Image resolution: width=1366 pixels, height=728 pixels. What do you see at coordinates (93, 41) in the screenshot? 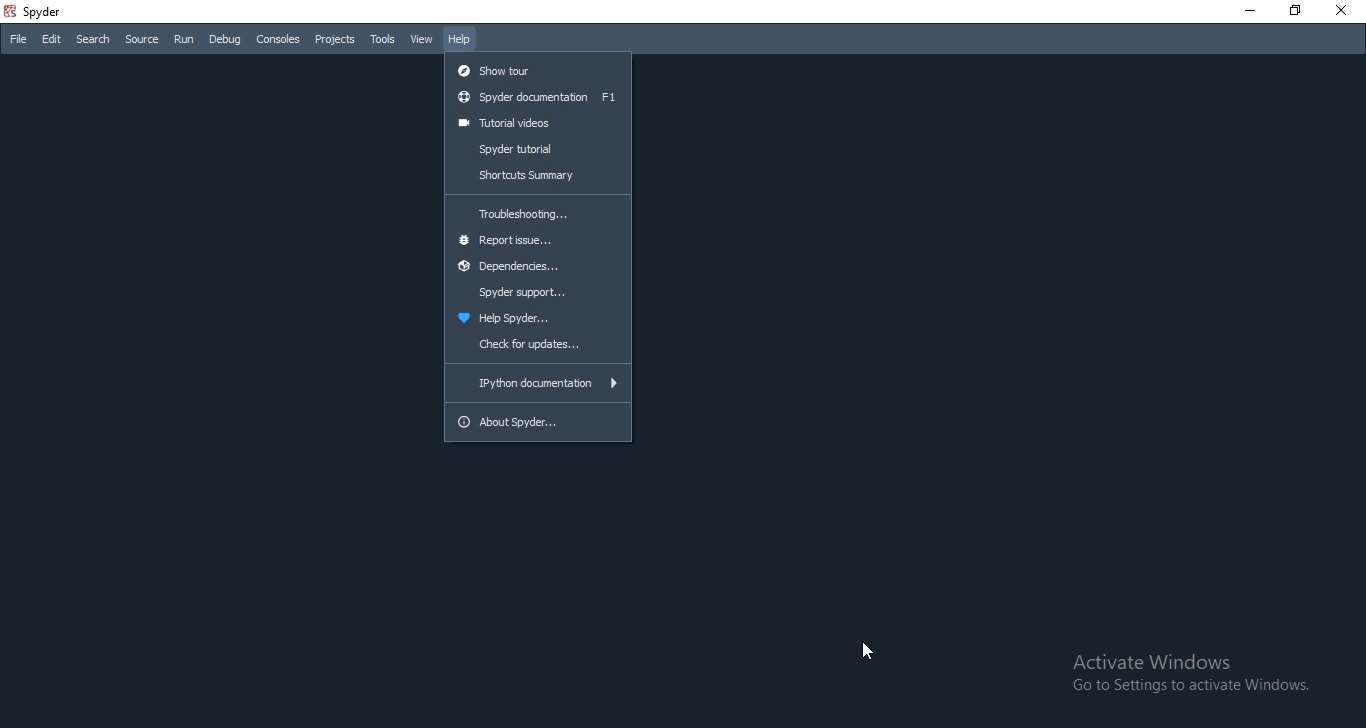
I see `Search` at bounding box center [93, 41].